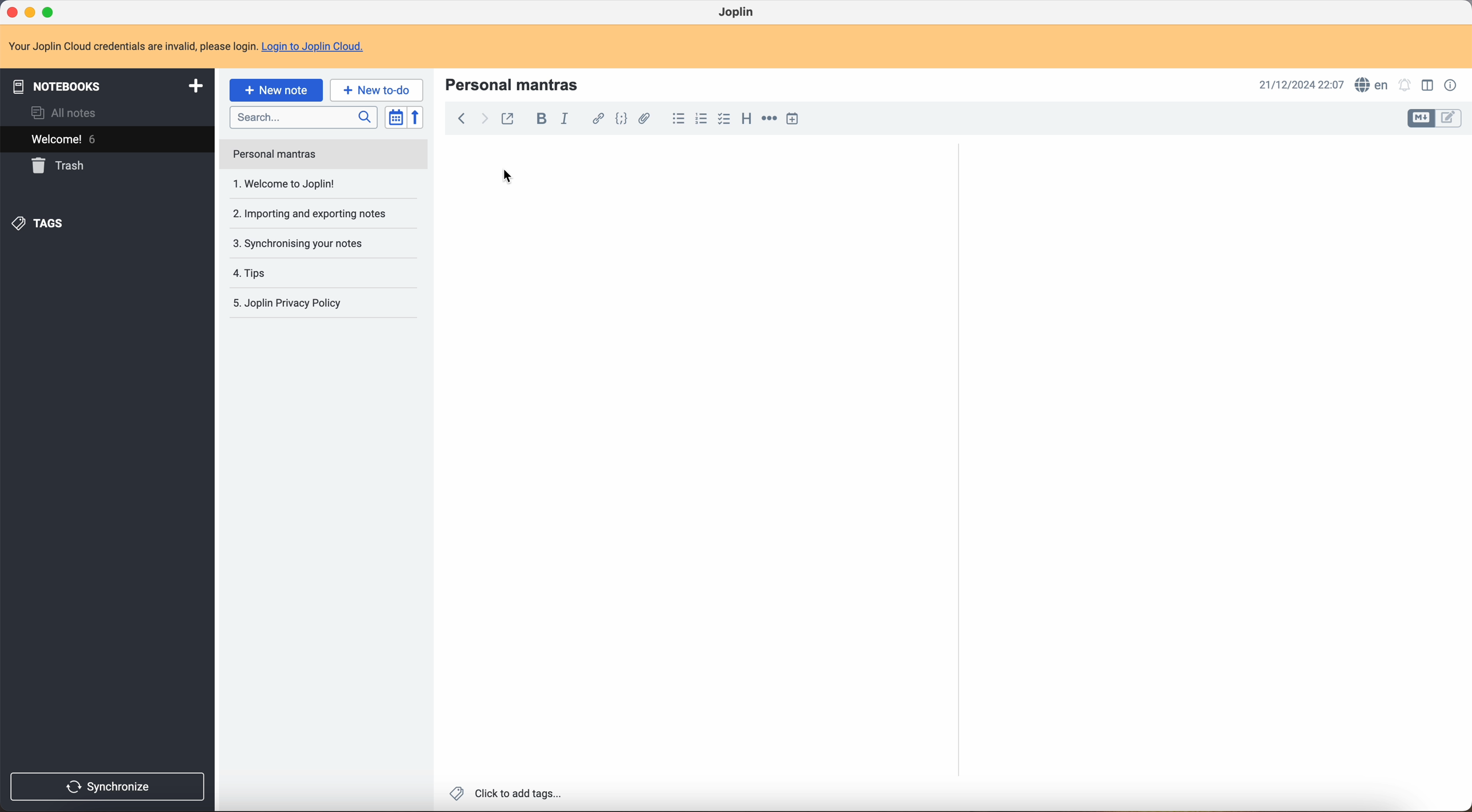 Image resolution: width=1472 pixels, height=812 pixels. Describe the element at coordinates (291, 273) in the screenshot. I see `Joplin privacy policy` at that location.